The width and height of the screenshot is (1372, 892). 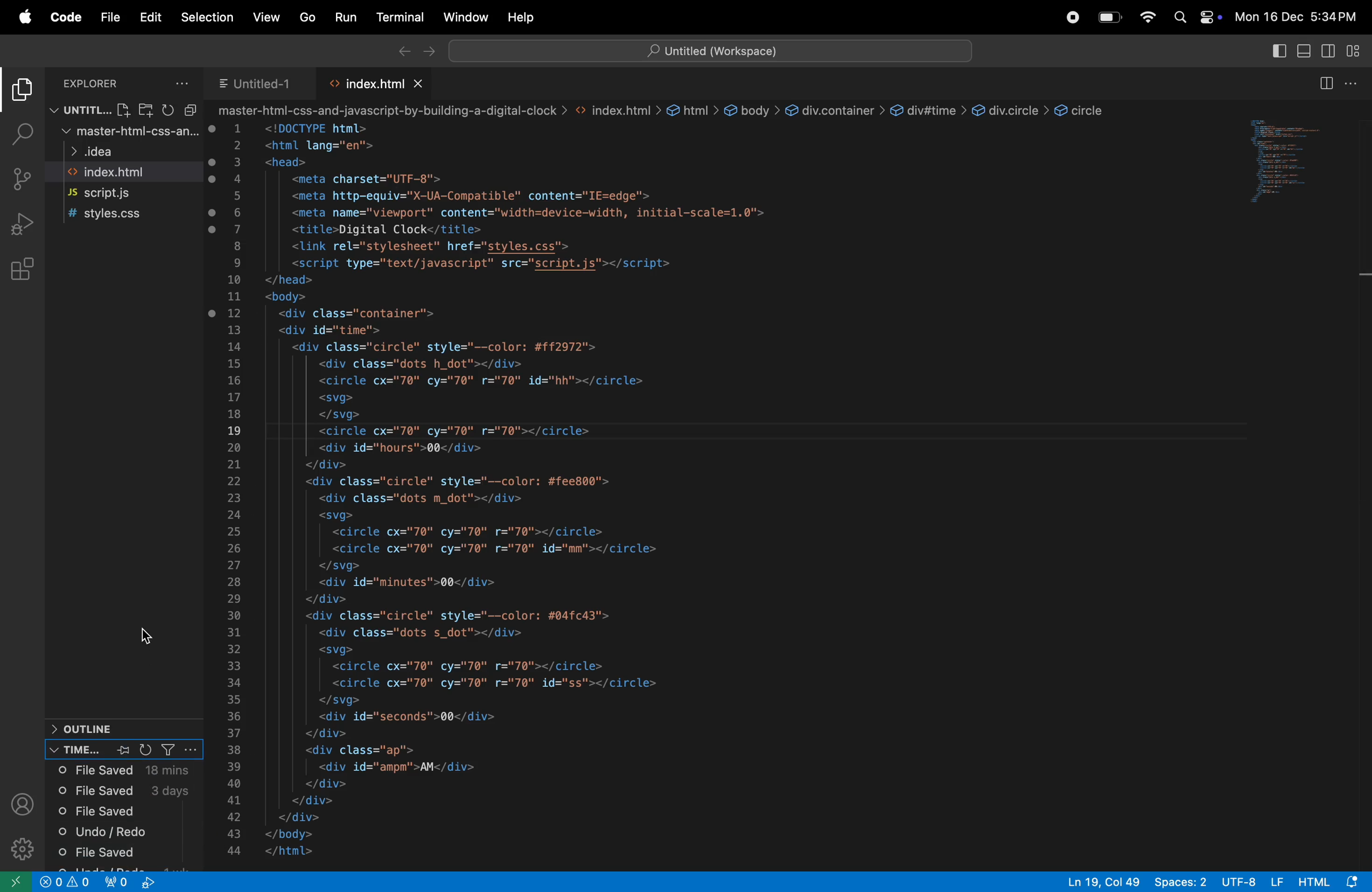 What do you see at coordinates (22, 228) in the screenshot?
I see `run debug` at bounding box center [22, 228].